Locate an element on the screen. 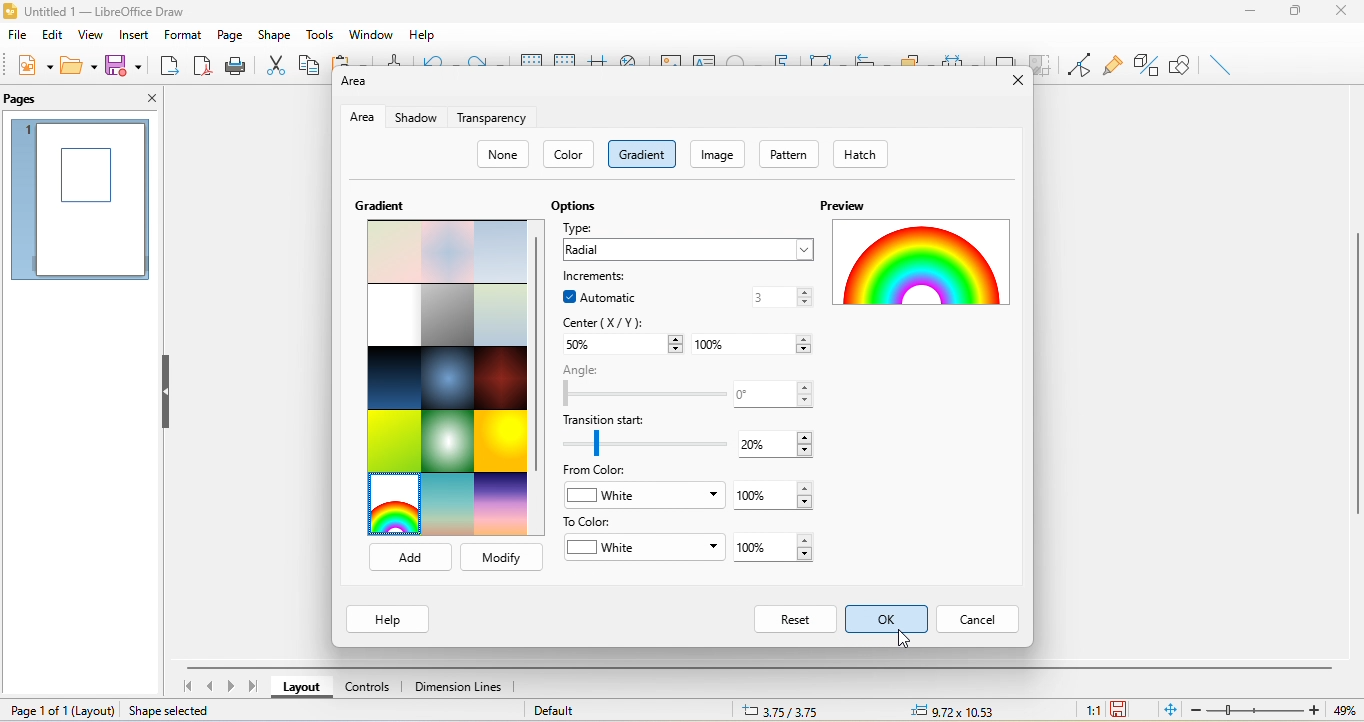  1:1 is located at coordinates (1091, 711).